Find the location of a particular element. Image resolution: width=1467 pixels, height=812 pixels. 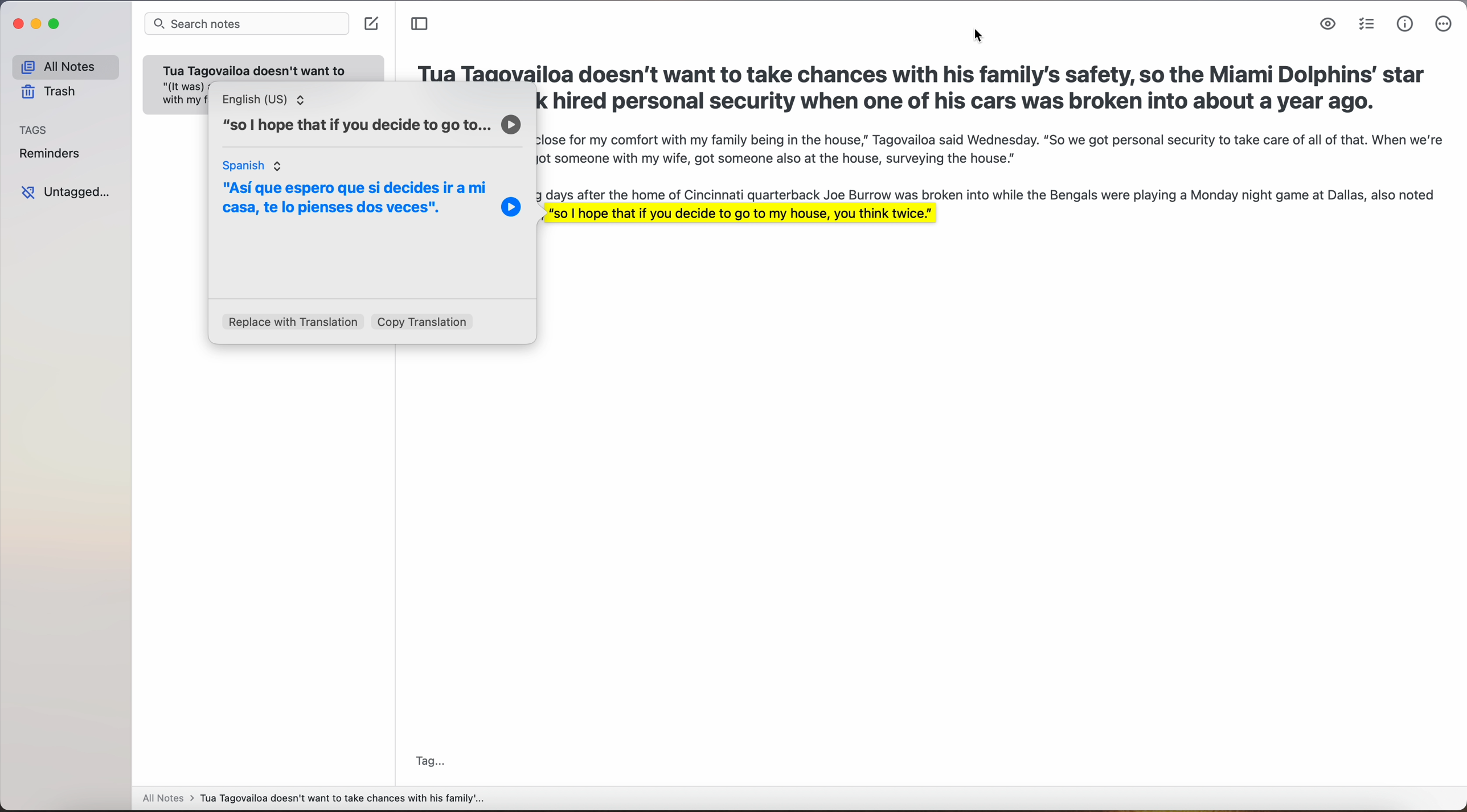

close app is located at coordinates (17, 26).